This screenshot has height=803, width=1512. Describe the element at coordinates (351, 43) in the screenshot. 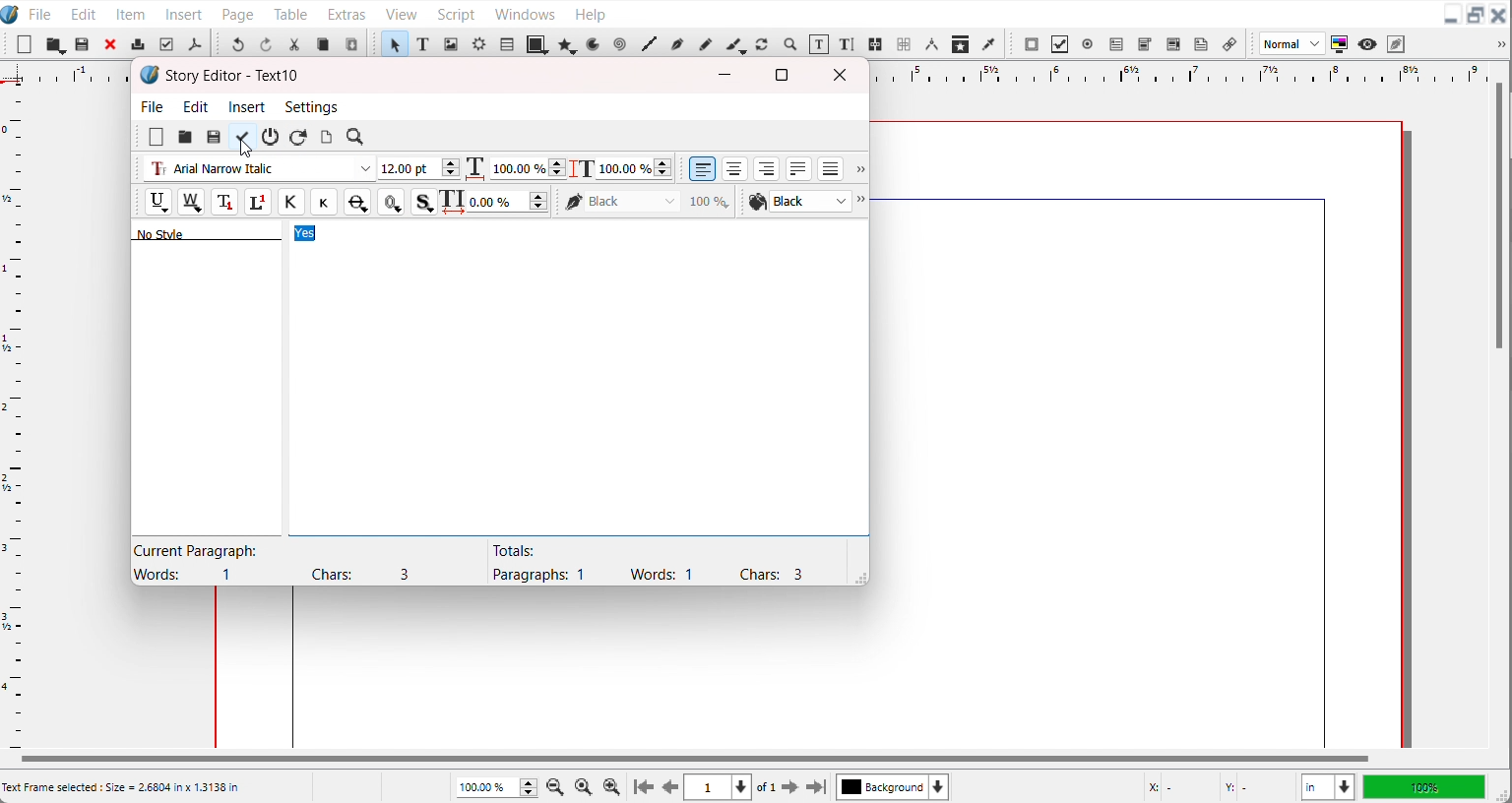

I see `Paste` at that location.